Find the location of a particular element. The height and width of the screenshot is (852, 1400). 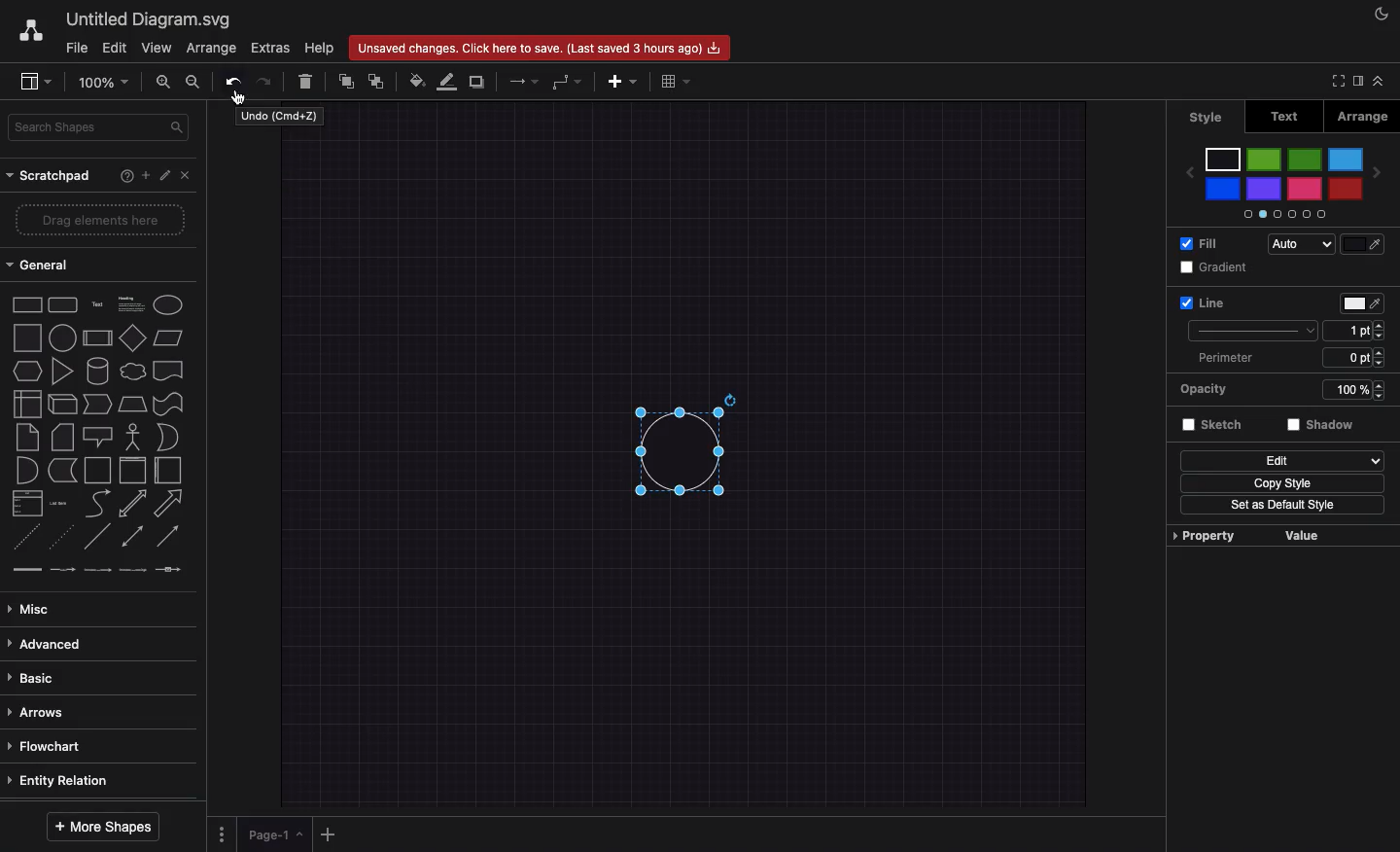

Fill color is located at coordinates (417, 83).